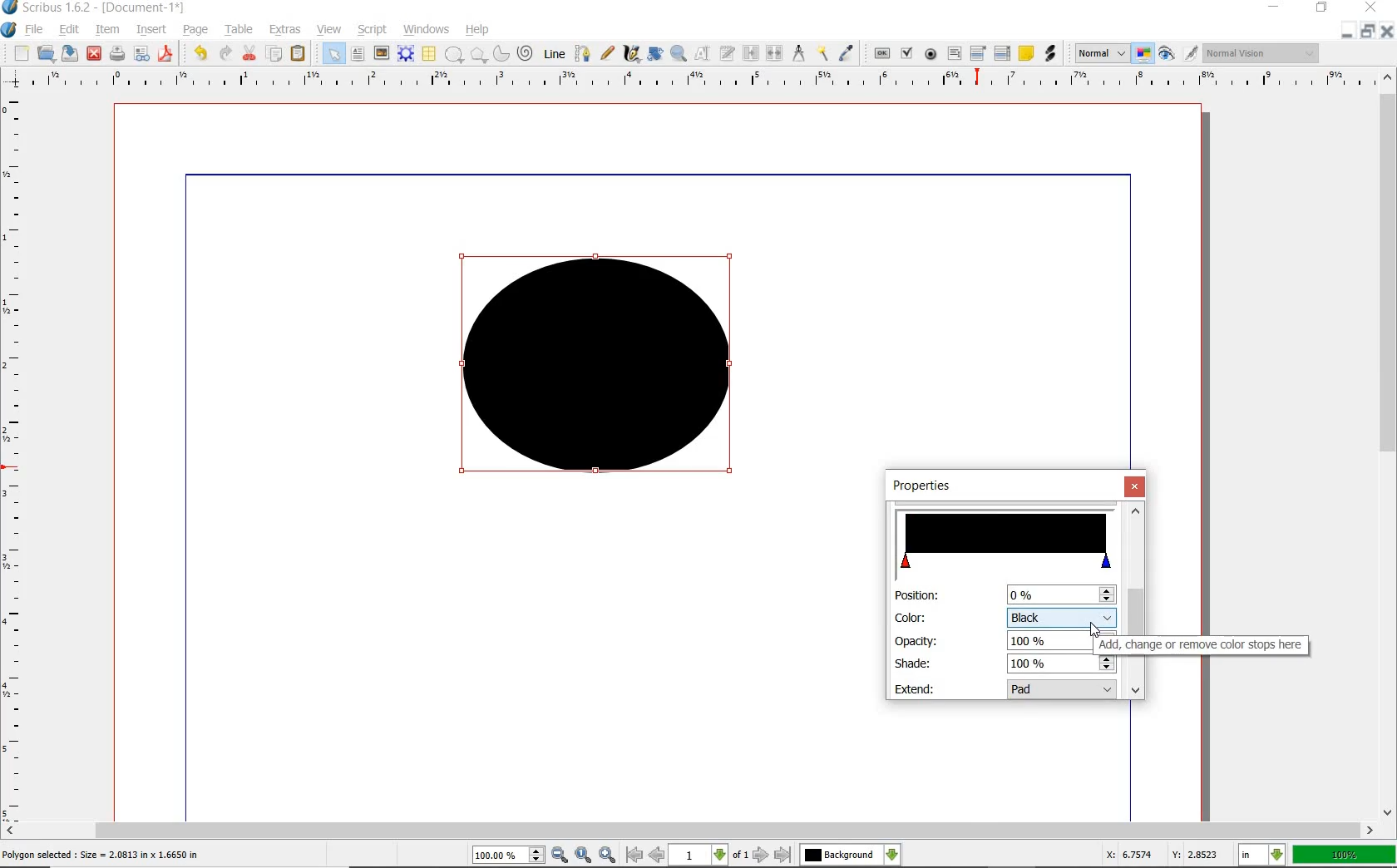 This screenshot has width=1397, height=868. I want to click on SAVE AS PDF, so click(167, 55).